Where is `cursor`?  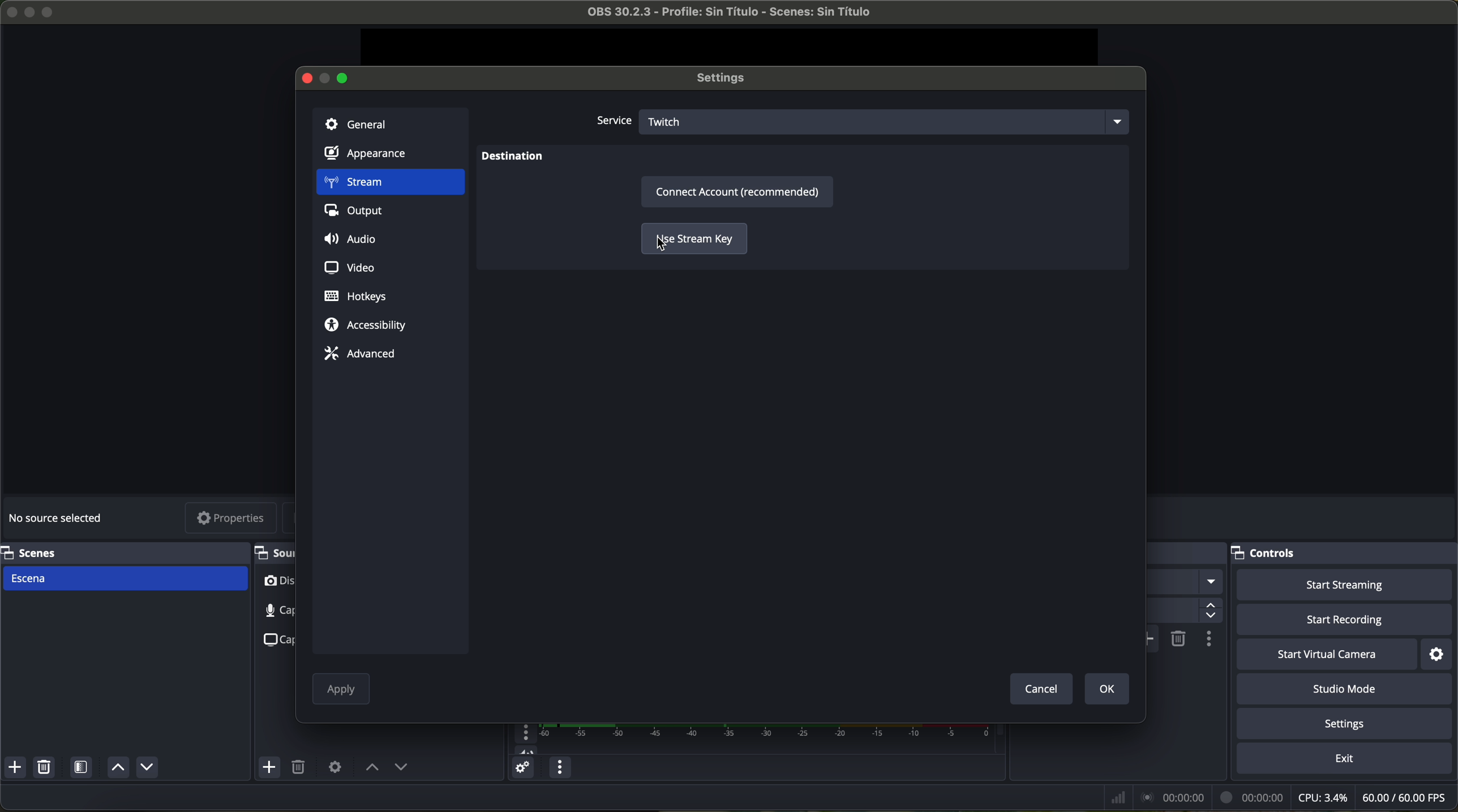
cursor is located at coordinates (661, 246).